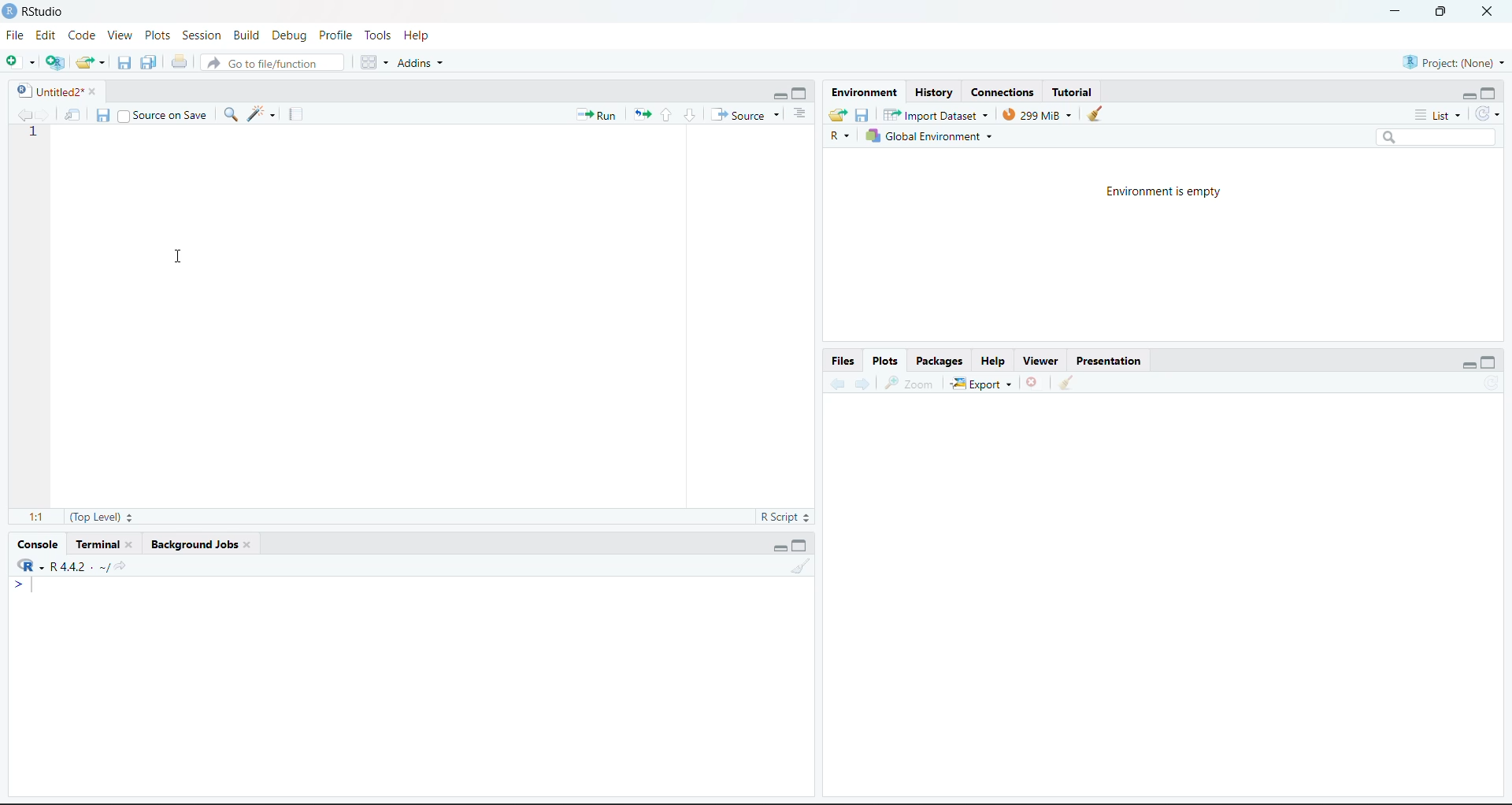 The height and width of the screenshot is (805, 1512). Describe the element at coordinates (1488, 95) in the screenshot. I see `maximize` at that location.